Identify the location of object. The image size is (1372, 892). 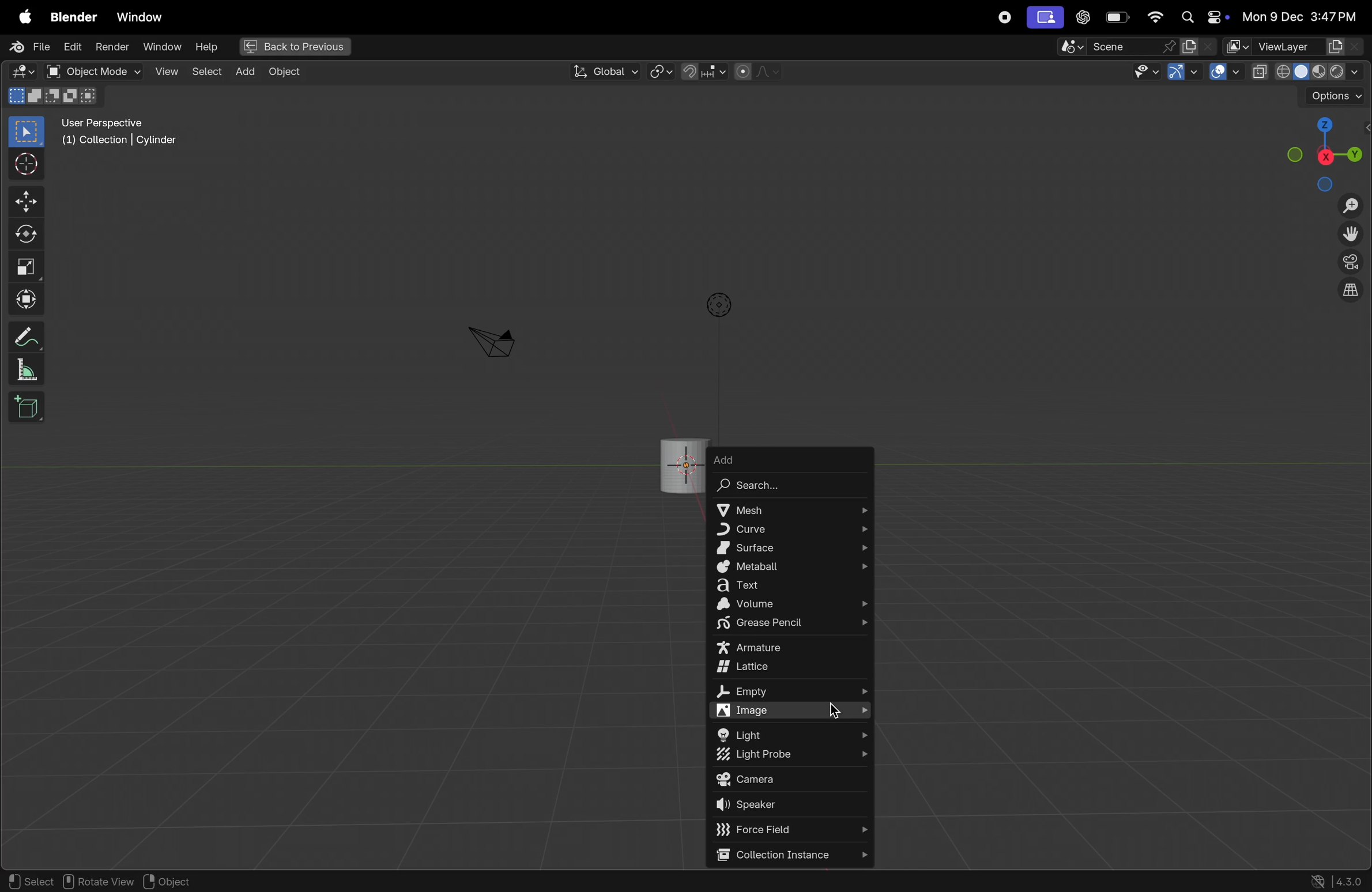
(178, 881).